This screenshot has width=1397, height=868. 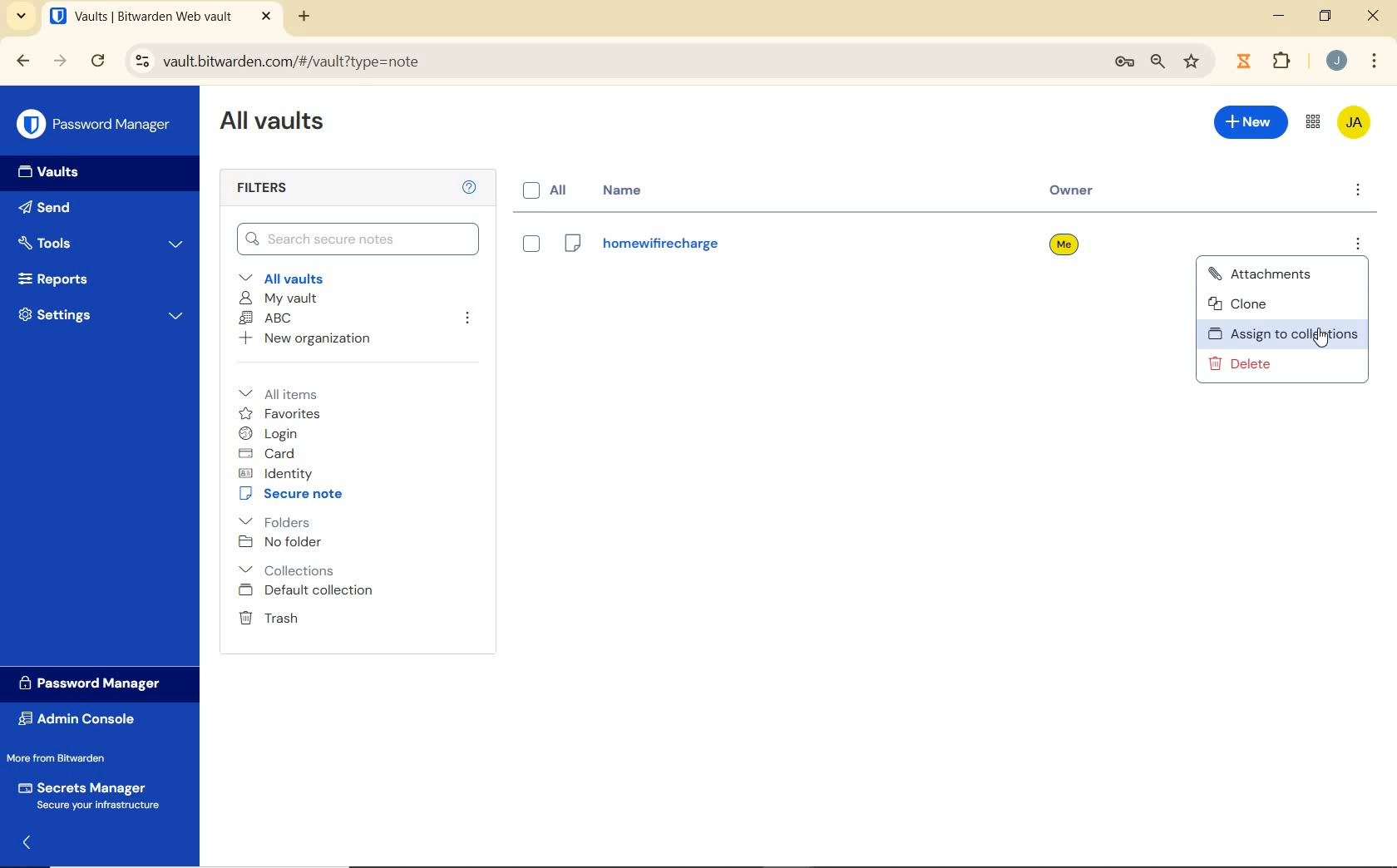 What do you see at coordinates (280, 414) in the screenshot?
I see `favorites` at bounding box center [280, 414].